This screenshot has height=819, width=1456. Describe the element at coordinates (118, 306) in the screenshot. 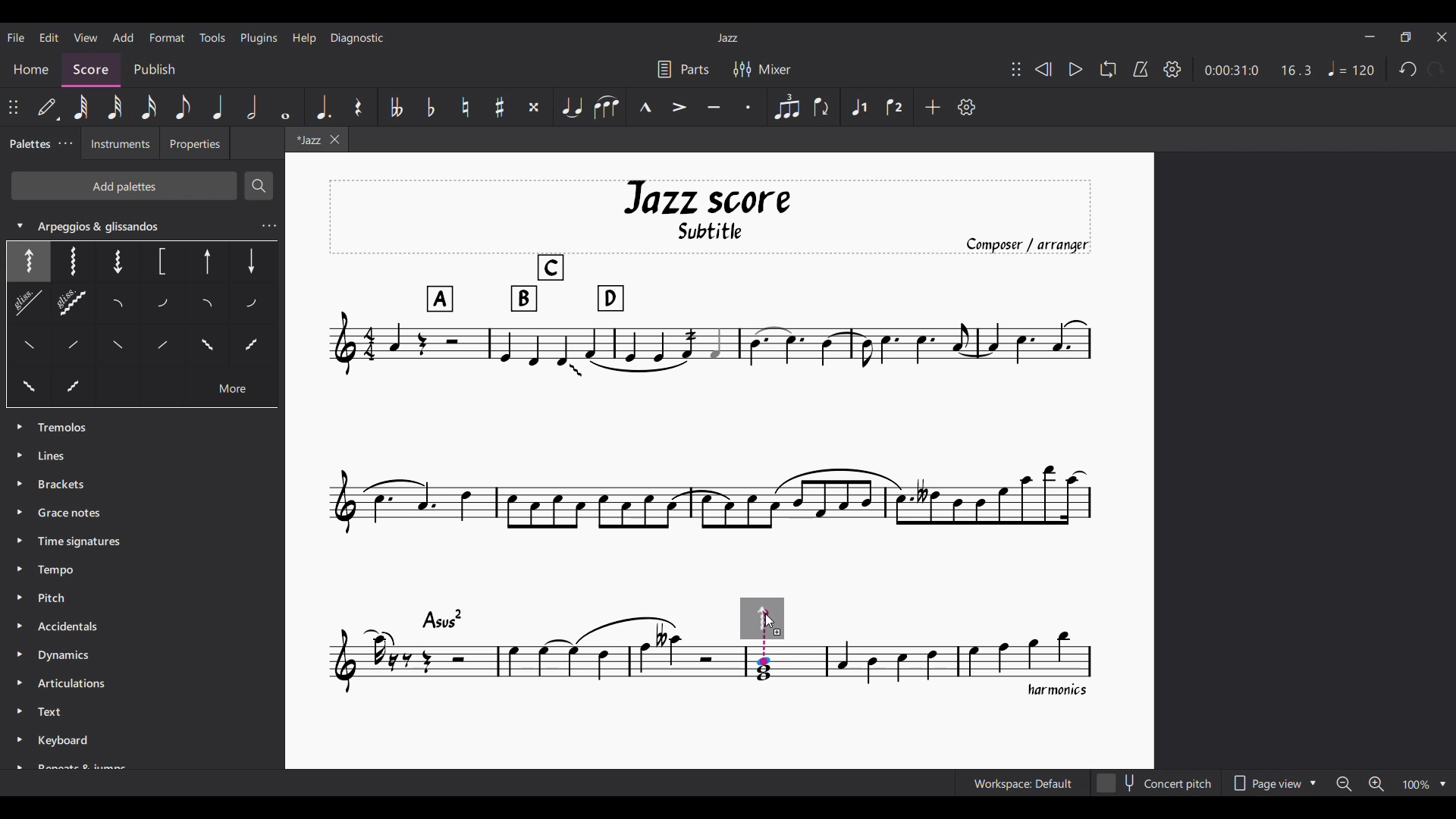

I see `` at that location.